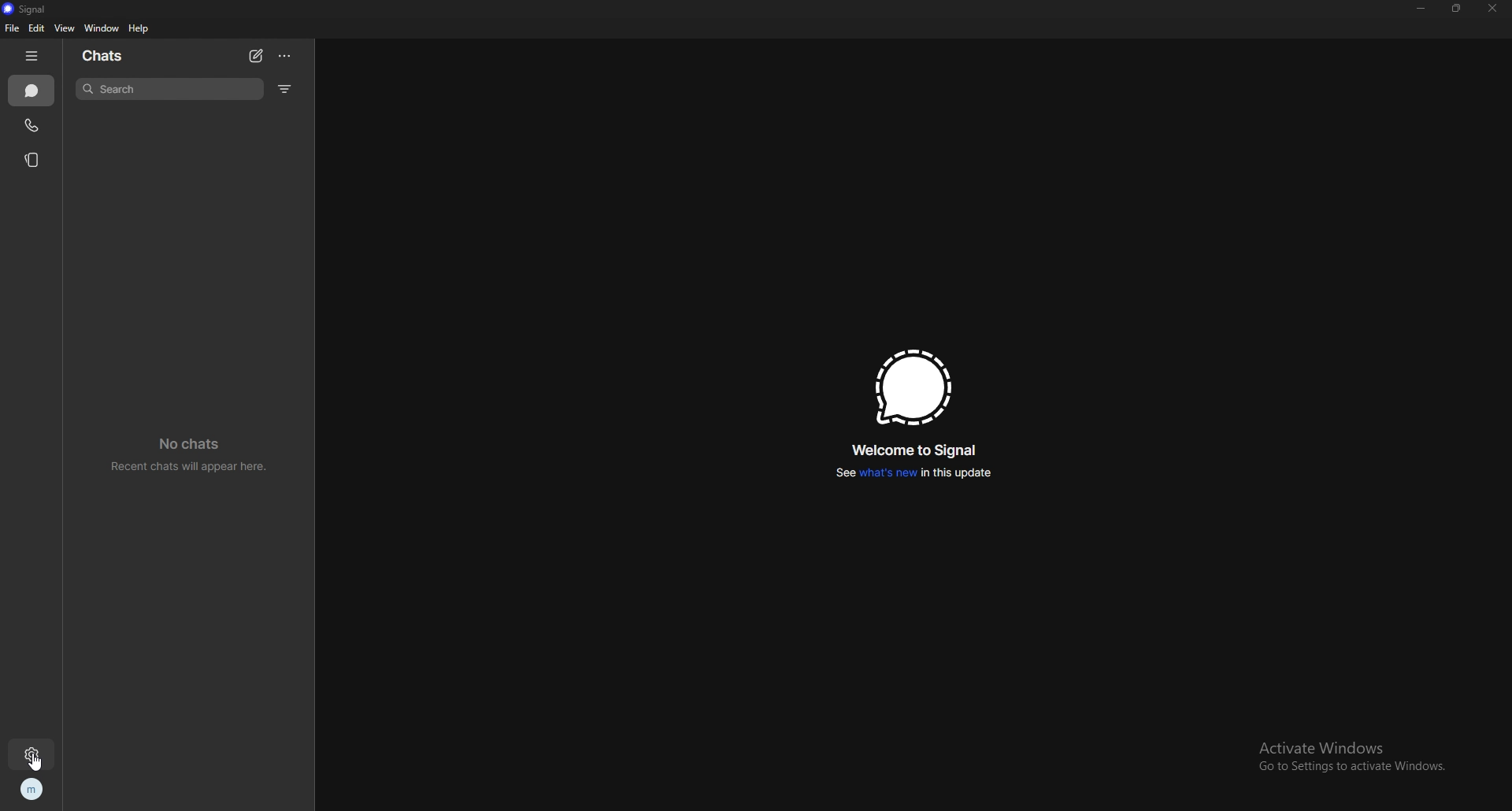 This screenshot has height=811, width=1512. I want to click on file, so click(12, 28).